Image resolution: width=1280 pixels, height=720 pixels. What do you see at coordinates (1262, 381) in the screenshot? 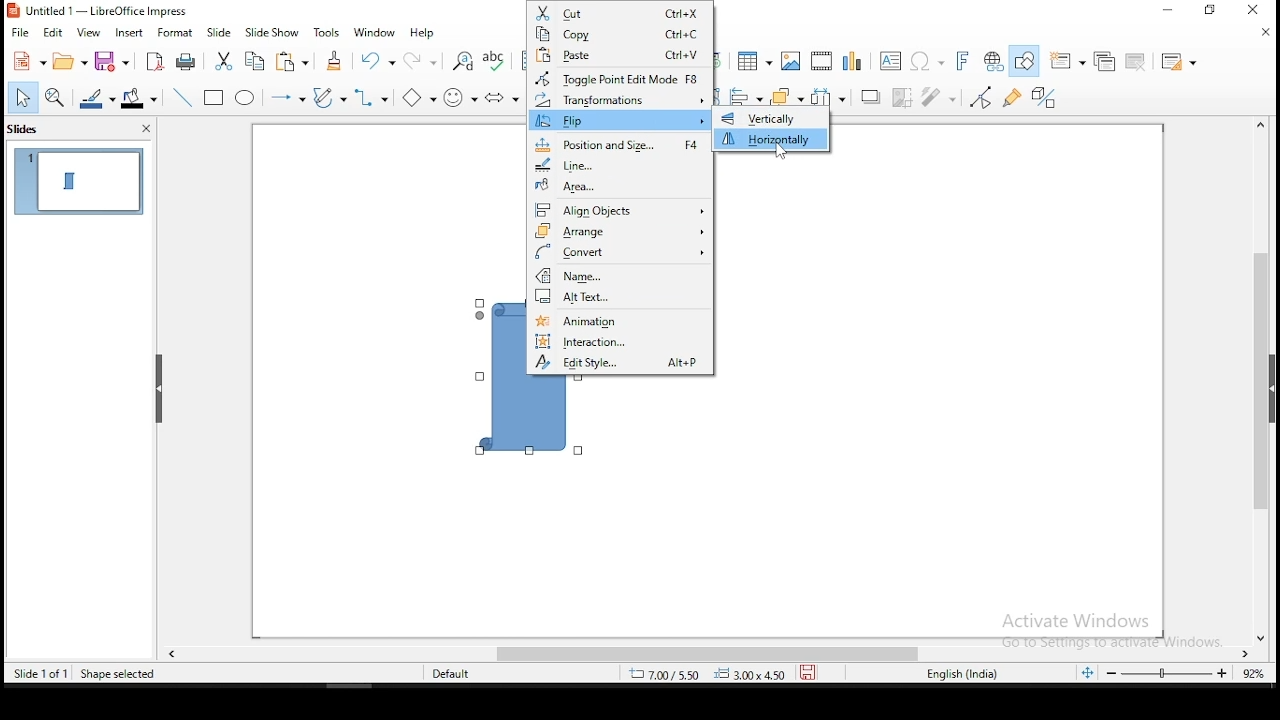
I see `scroll bar` at bounding box center [1262, 381].